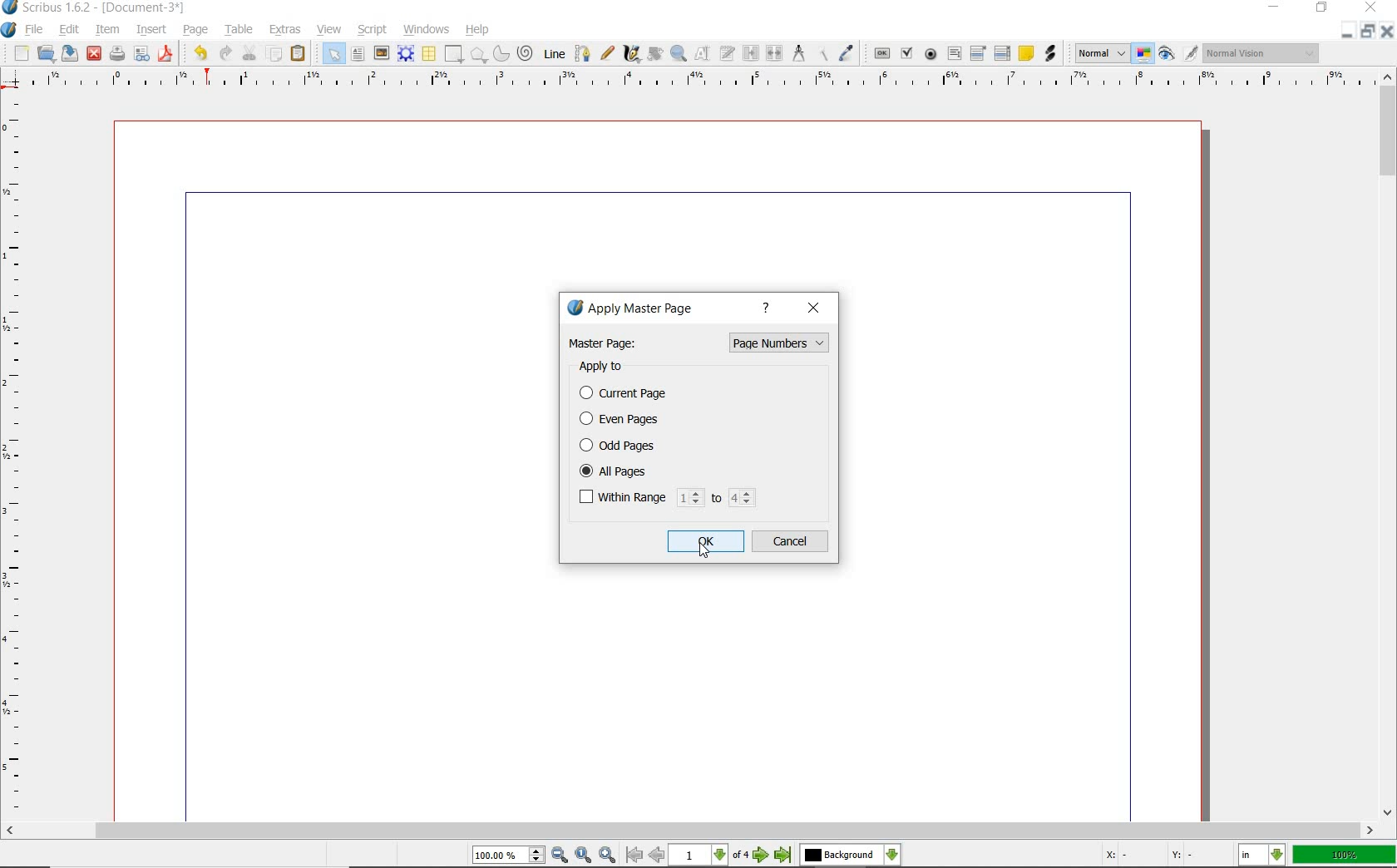 This screenshot has height=868, width=1397. What do you see at coordinates (165, 55) in the screenshot?
I see `save as pdf` at bounding box center [165, 55].